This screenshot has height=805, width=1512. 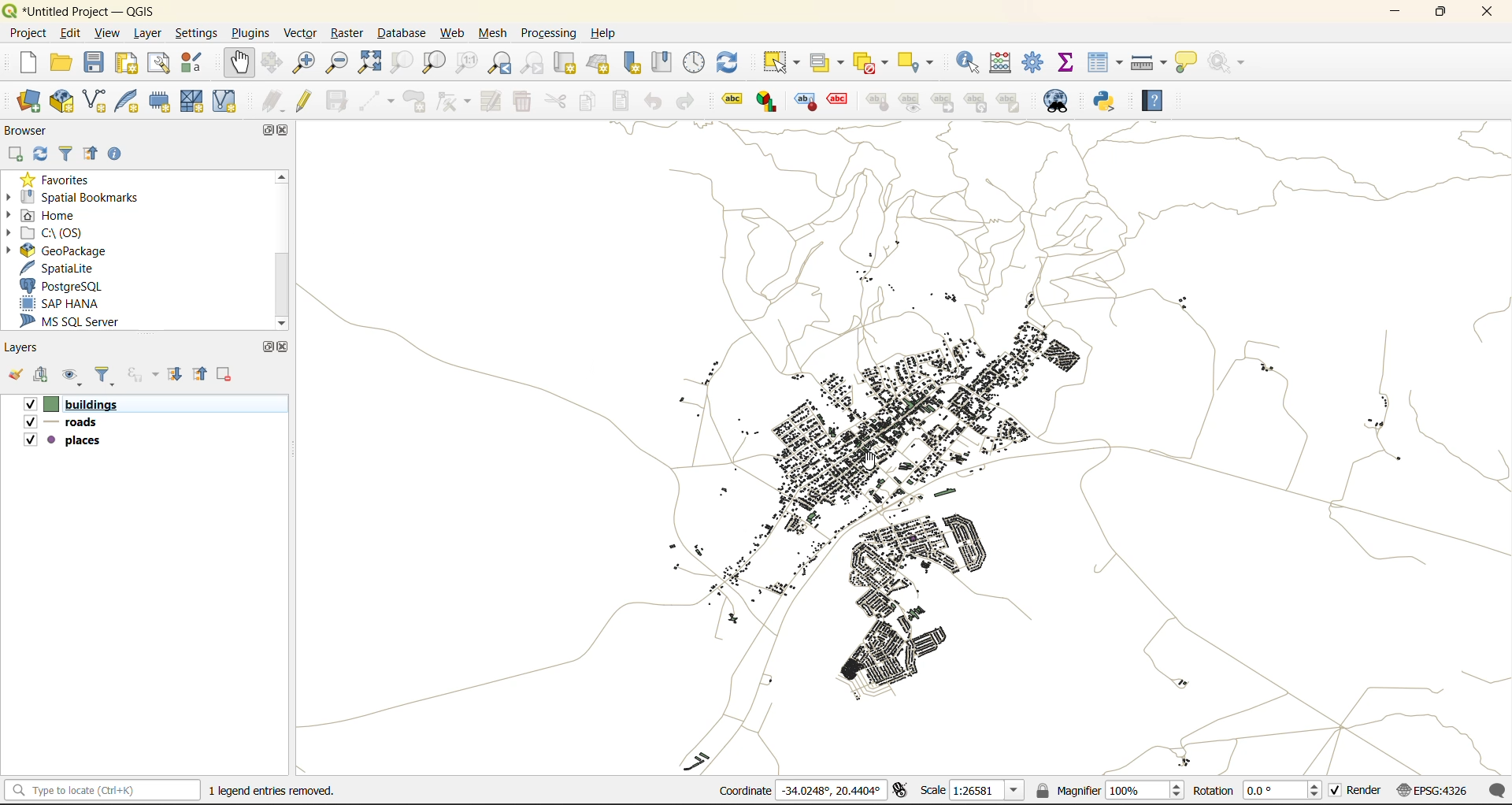 I want to click on save, so click(x=95, y=62).